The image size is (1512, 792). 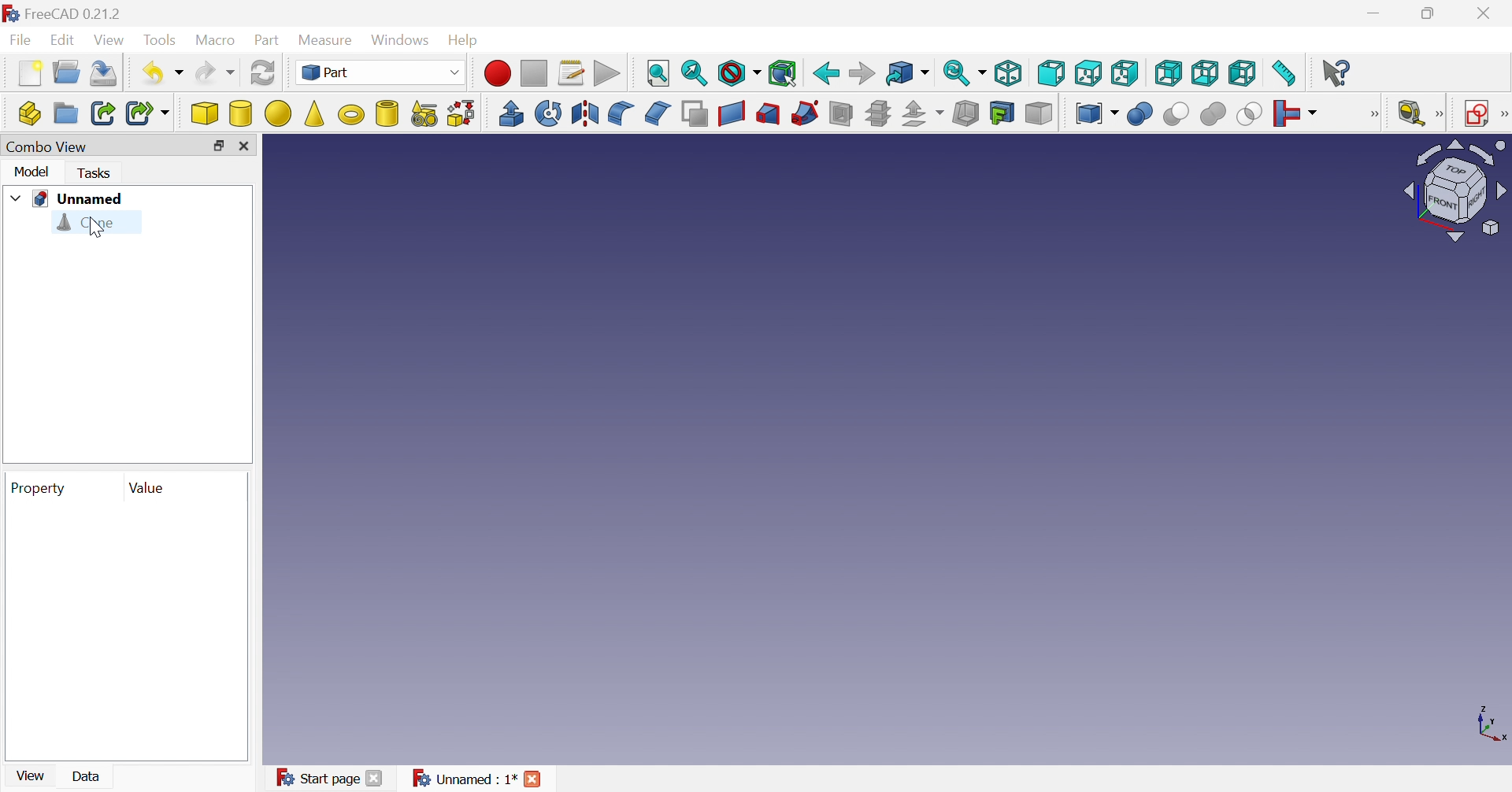 I want to click on Color per face, so click(x=1038, y=116).